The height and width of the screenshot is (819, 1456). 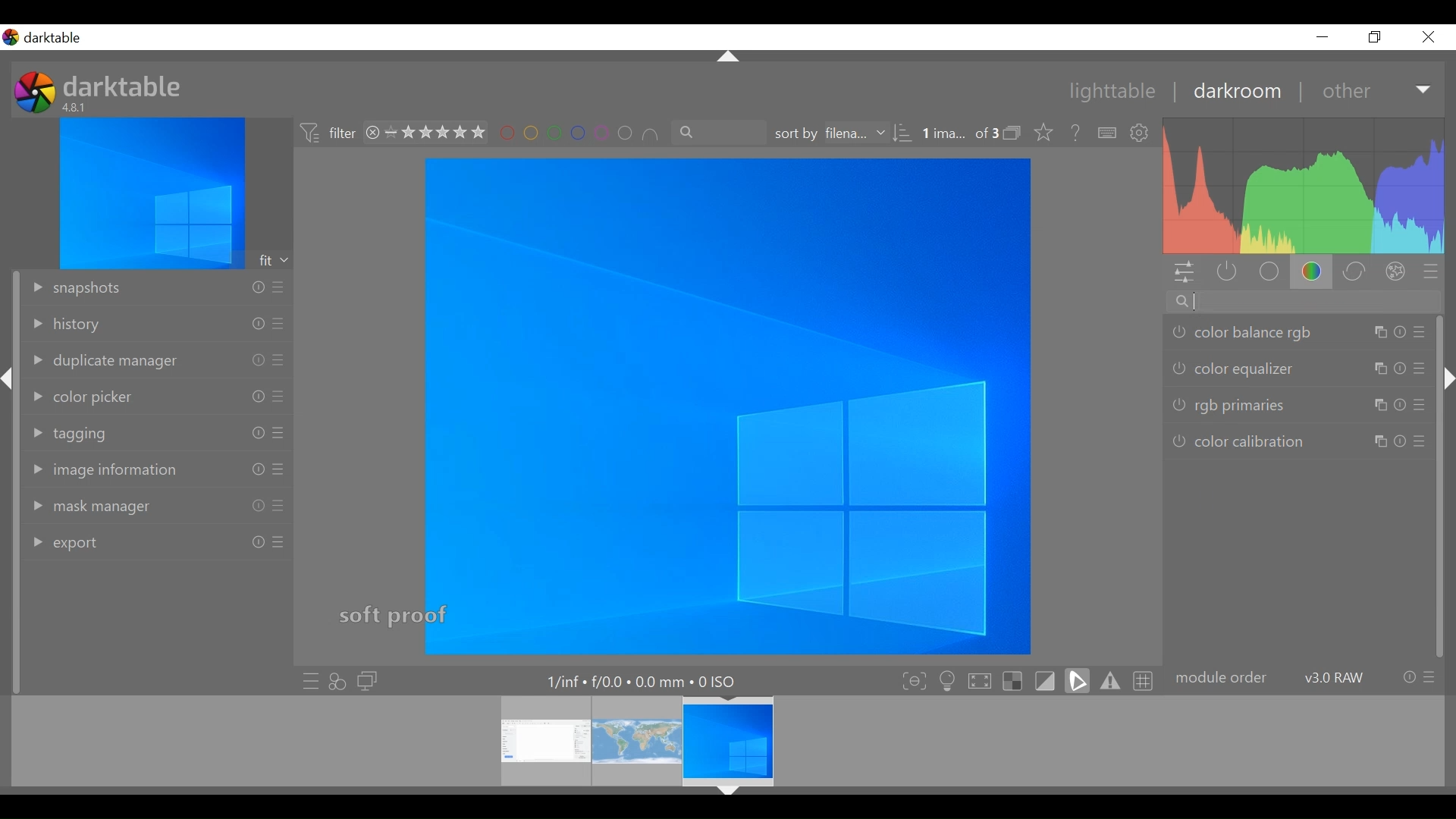 I want to click on other, so click(x=1345, y=92).